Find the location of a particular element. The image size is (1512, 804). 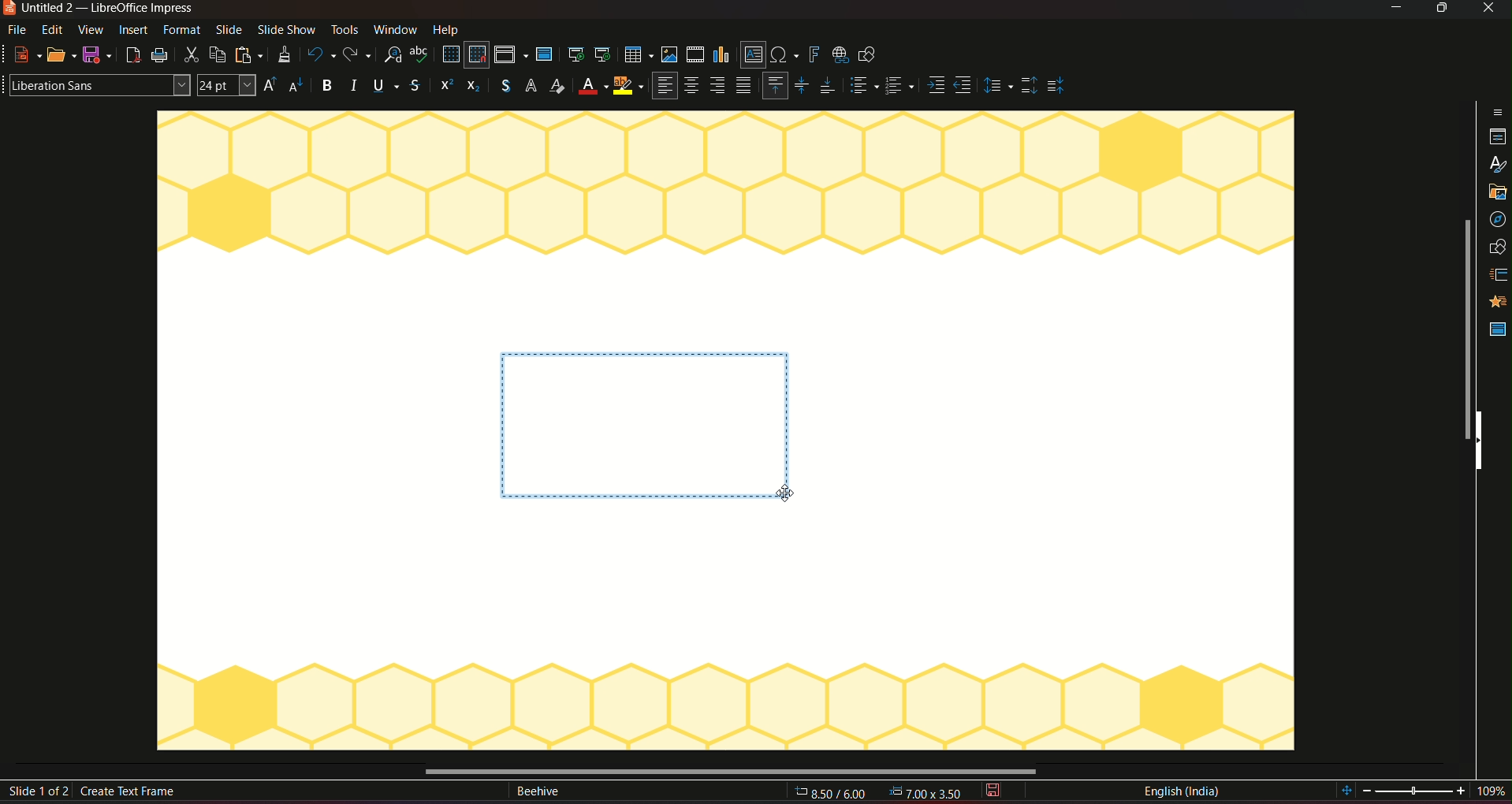

Font color is located at coordinates (557, 86).